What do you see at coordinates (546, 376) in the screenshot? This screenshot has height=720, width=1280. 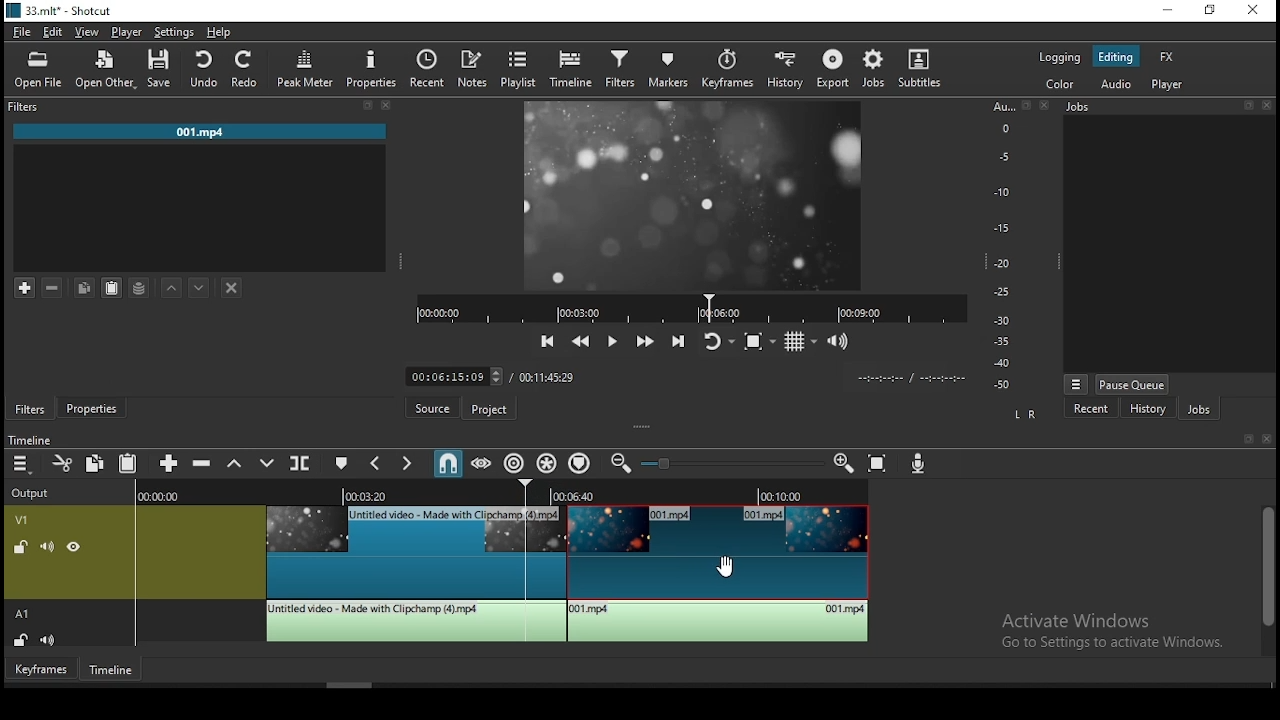 I see `track duration` at bounding box center [546, 376].